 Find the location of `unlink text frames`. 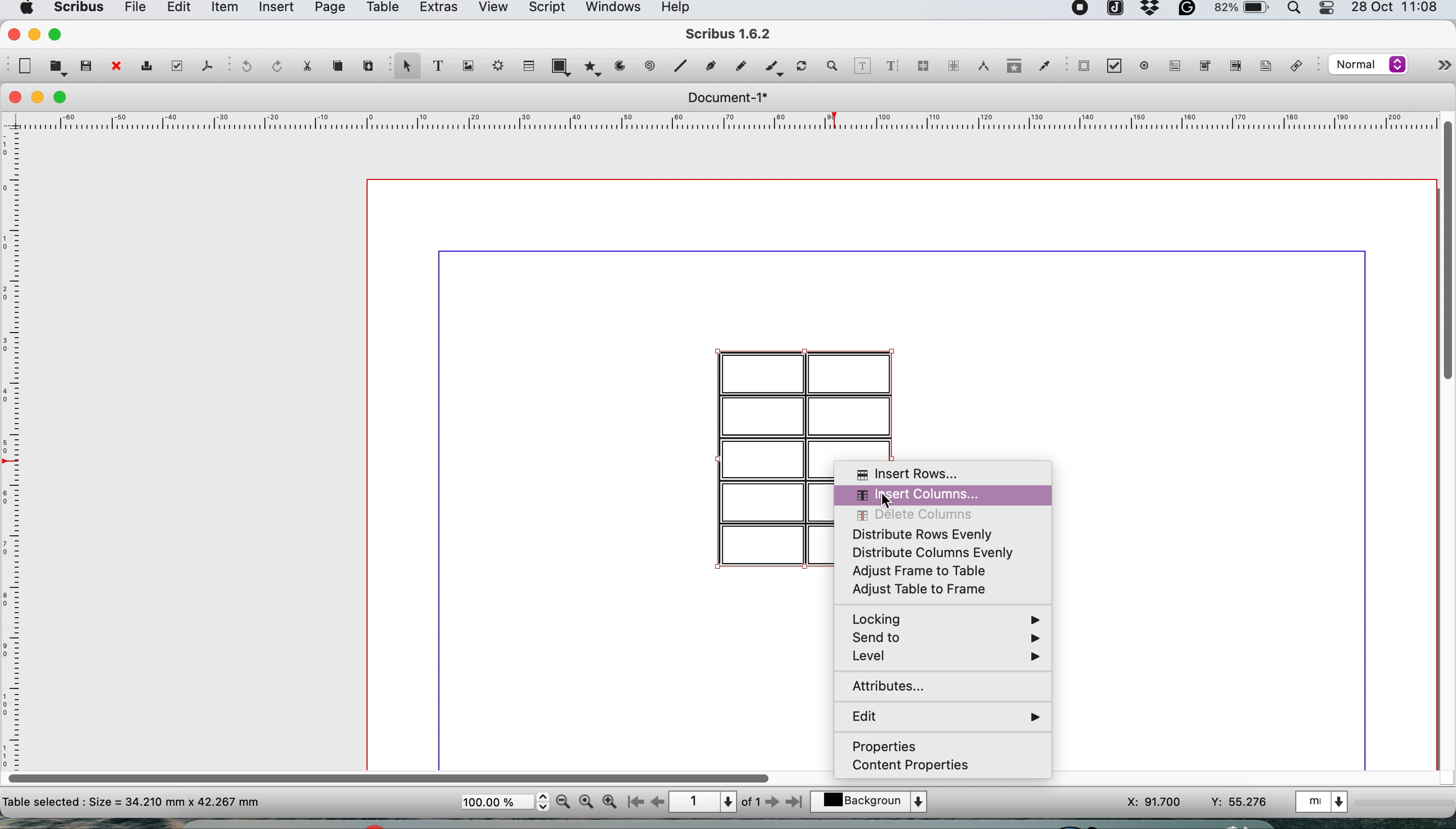

unlink text frames is located at coordinates (953, 69).